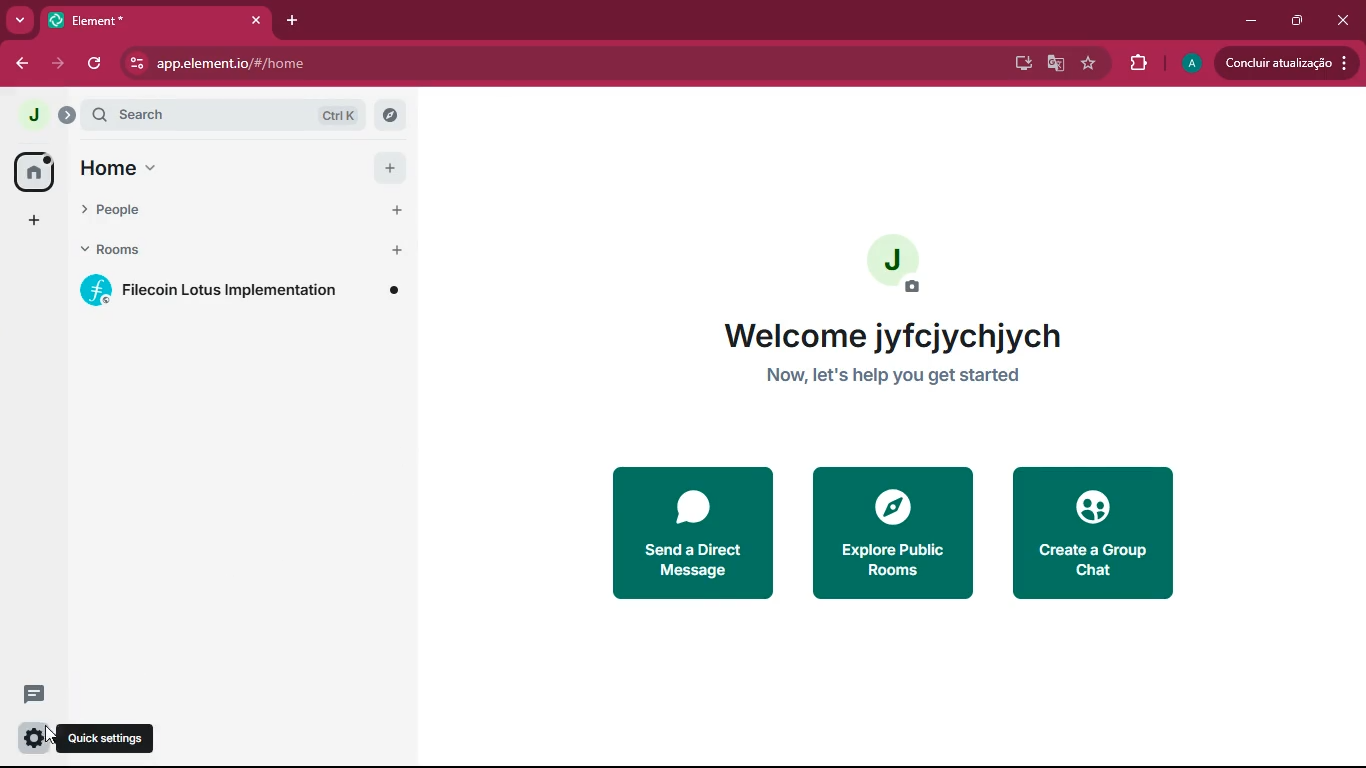 The image size is (1366, 768). What do you see at coordinates (1299, 21) in the screenshot?
I see `maximize` at bounding box center [1299, 21].